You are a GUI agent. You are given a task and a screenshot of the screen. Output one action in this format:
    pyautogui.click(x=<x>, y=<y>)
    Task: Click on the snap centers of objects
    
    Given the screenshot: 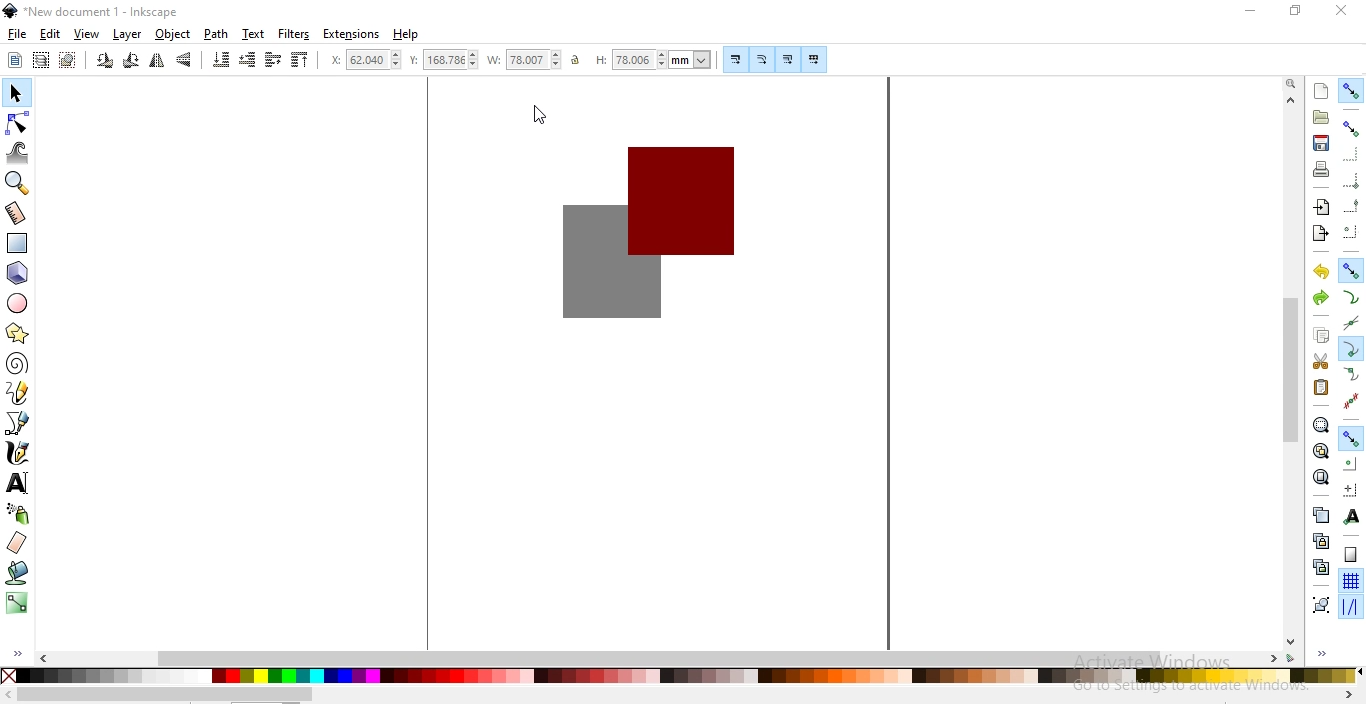 What is the action you would take?
    pyautogui.click(x=1351, y=463)
    